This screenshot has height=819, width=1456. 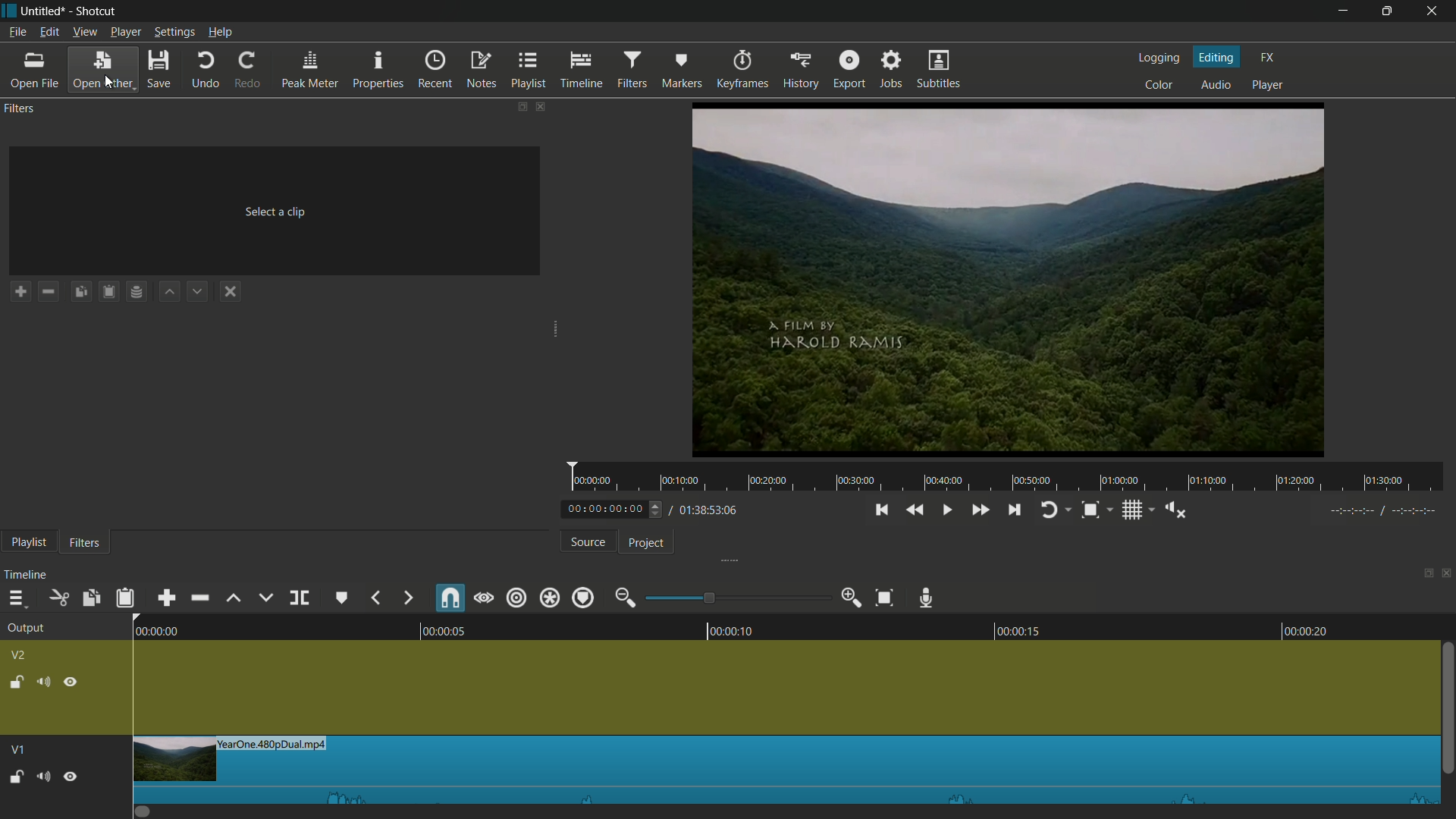 I want to click on playlist, so click(x=531, y=71).